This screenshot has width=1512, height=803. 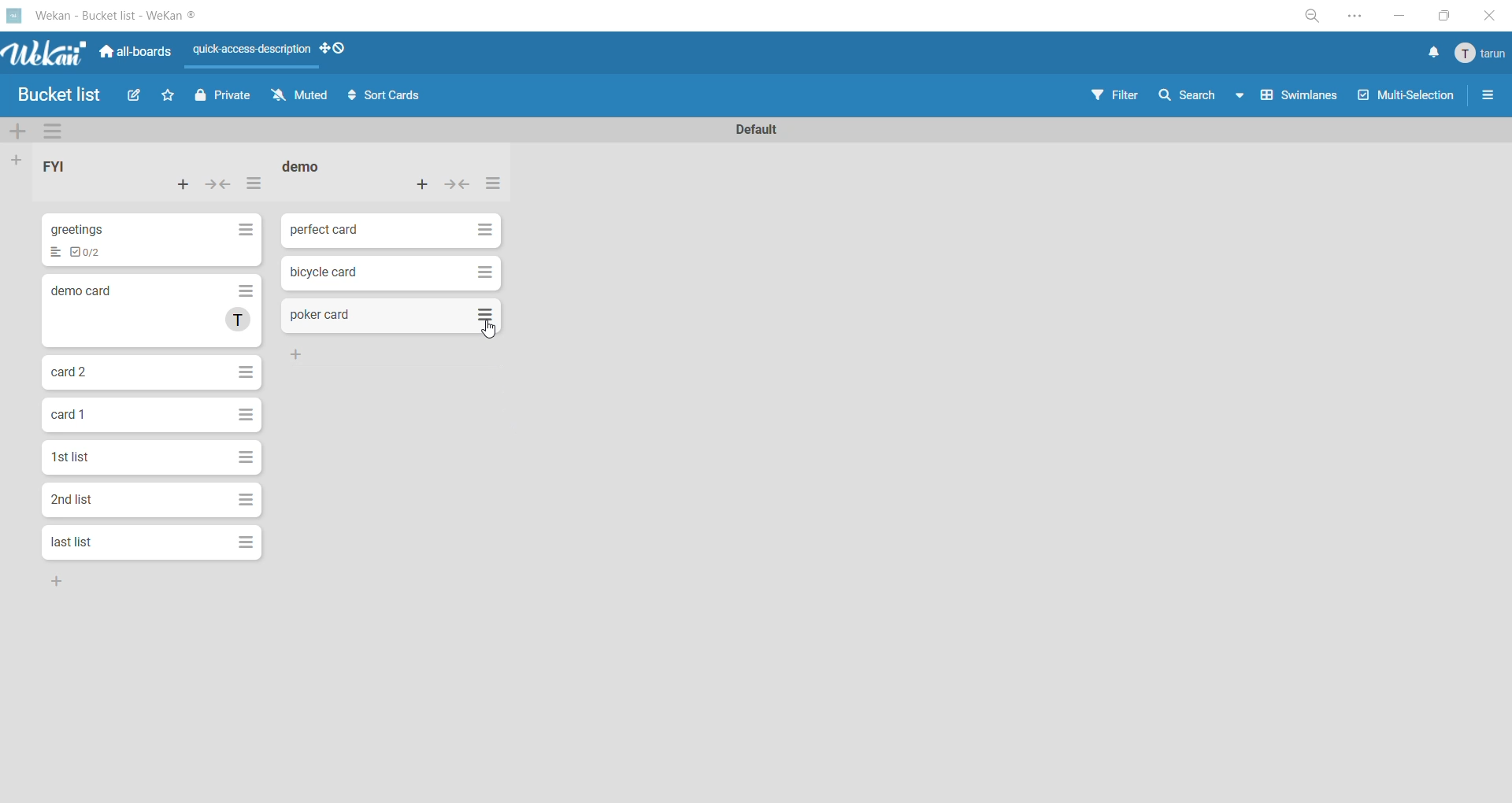 What do you see at coordinates (385, 96) in the screenshot?
I see `sort cards` at bounding box center [385, 96].